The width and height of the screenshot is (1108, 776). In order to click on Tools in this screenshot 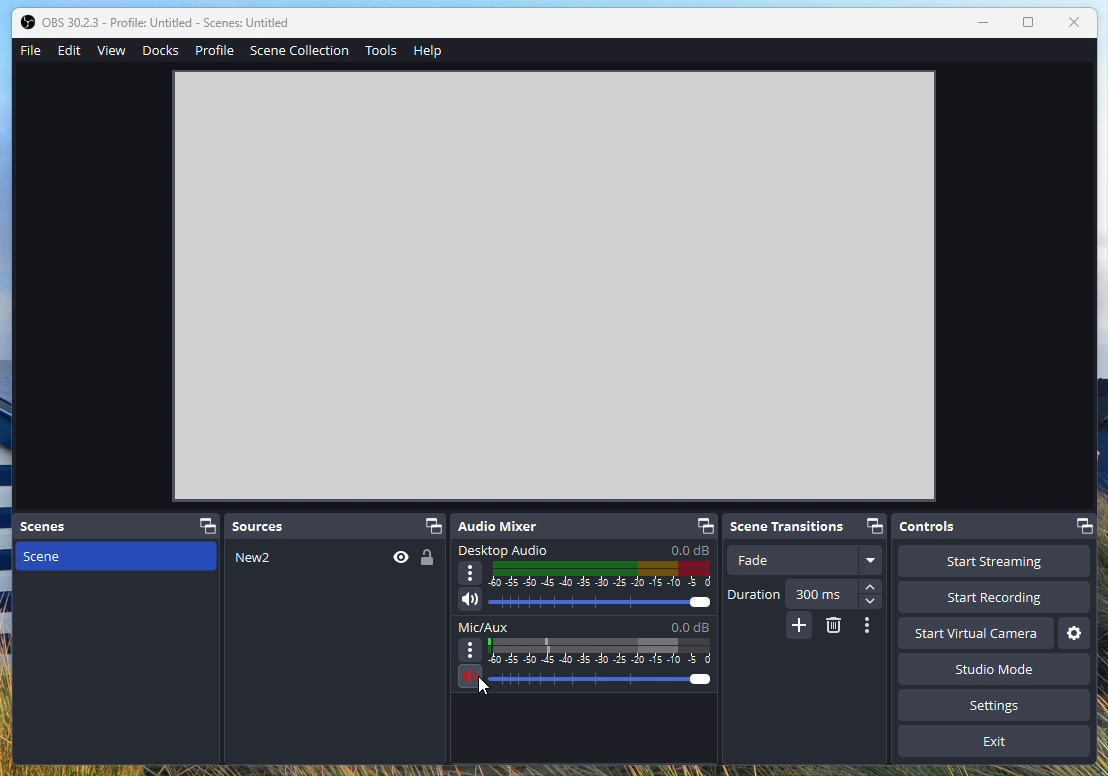, I will do `click(1075, 634)`.